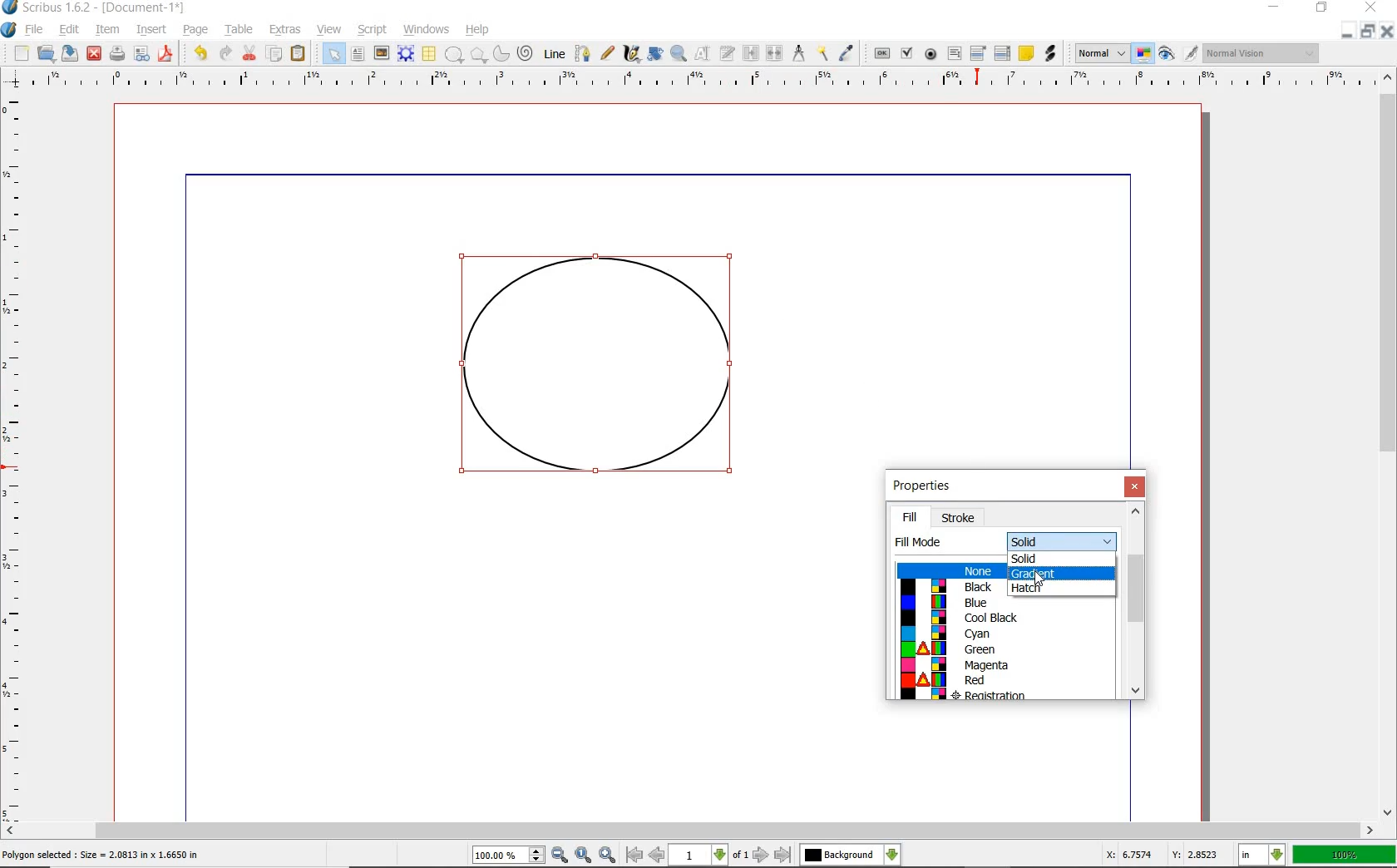 Image resolution: width=1397 pixels, height=868 pixels. What do you see at coordinates (1137, 486) in the screenshot?
I see `close` at bounding box center [1137, 486].